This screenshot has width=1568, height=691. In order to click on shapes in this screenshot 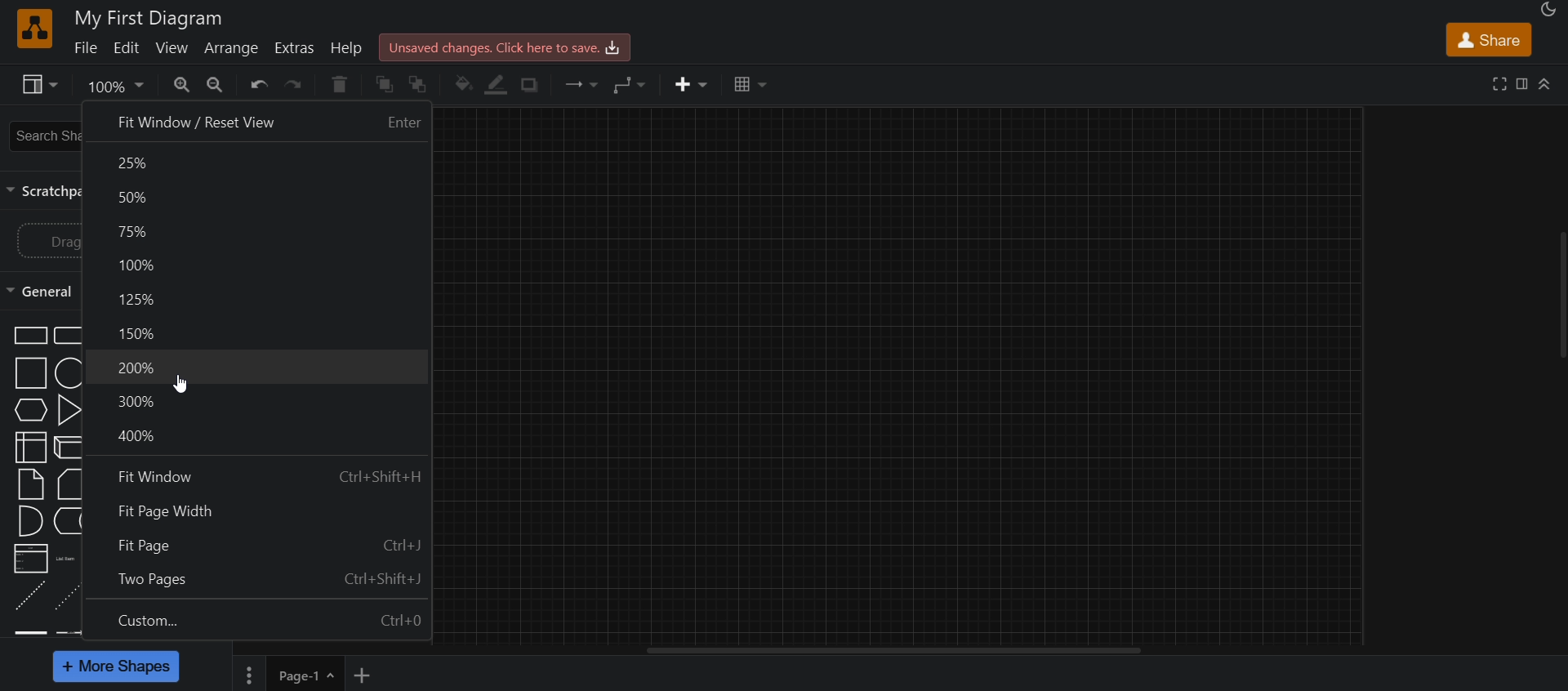, I will do `click(43, 482)`.